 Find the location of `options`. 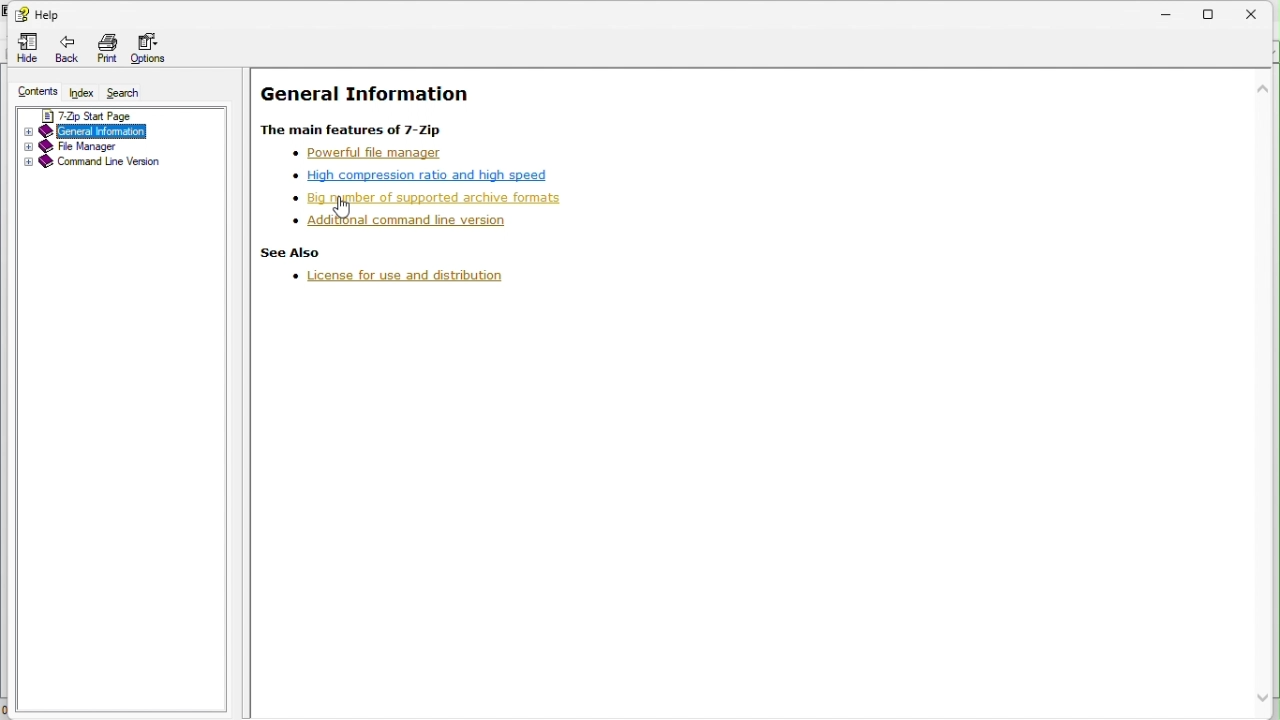

options is located at coordinates (155, 49).